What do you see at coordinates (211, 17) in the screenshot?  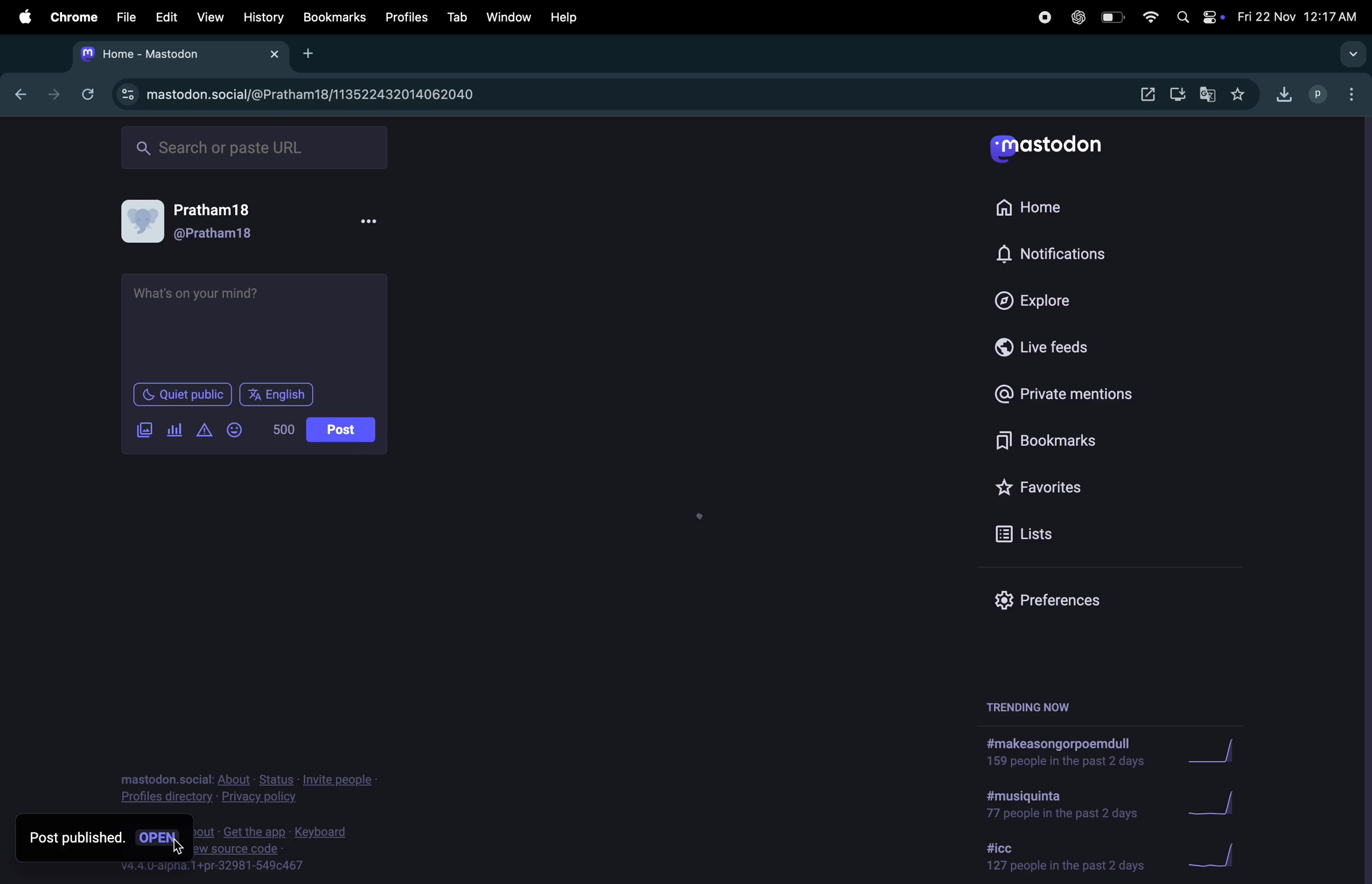 I see `view` at bounding box center [211, 17].